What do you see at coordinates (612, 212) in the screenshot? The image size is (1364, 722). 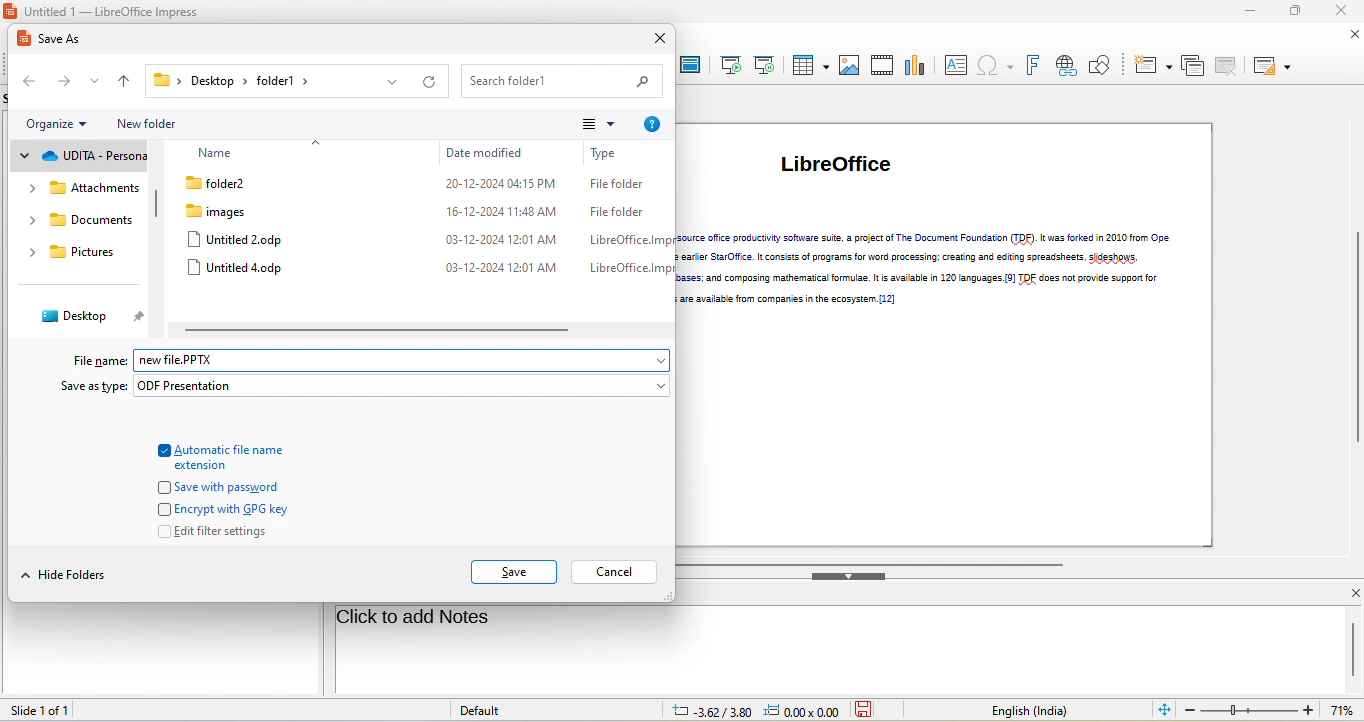 I see `File folder` at bounding box center [612, 212].